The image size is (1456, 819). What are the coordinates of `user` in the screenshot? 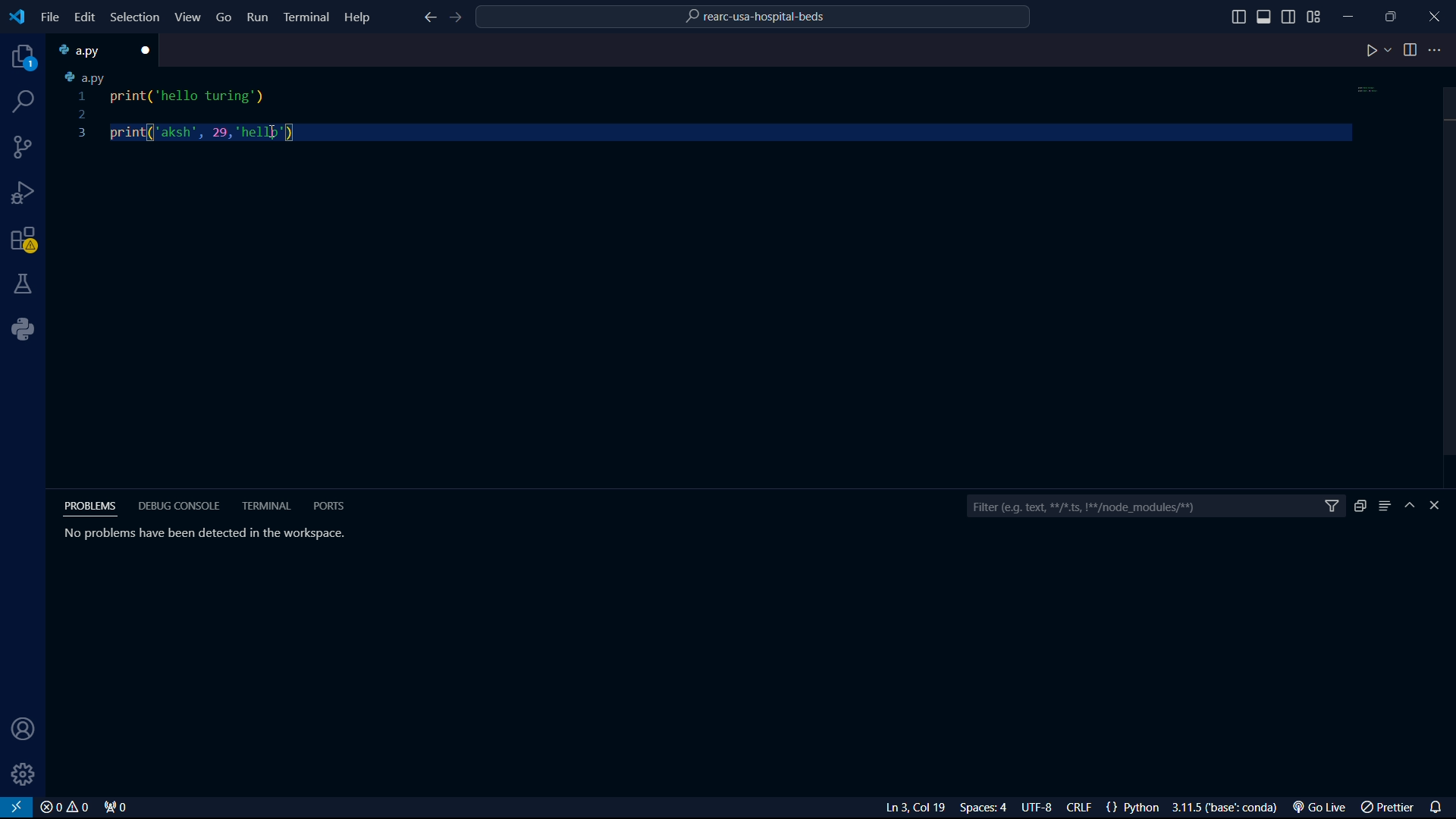 It's located at (19, 730).